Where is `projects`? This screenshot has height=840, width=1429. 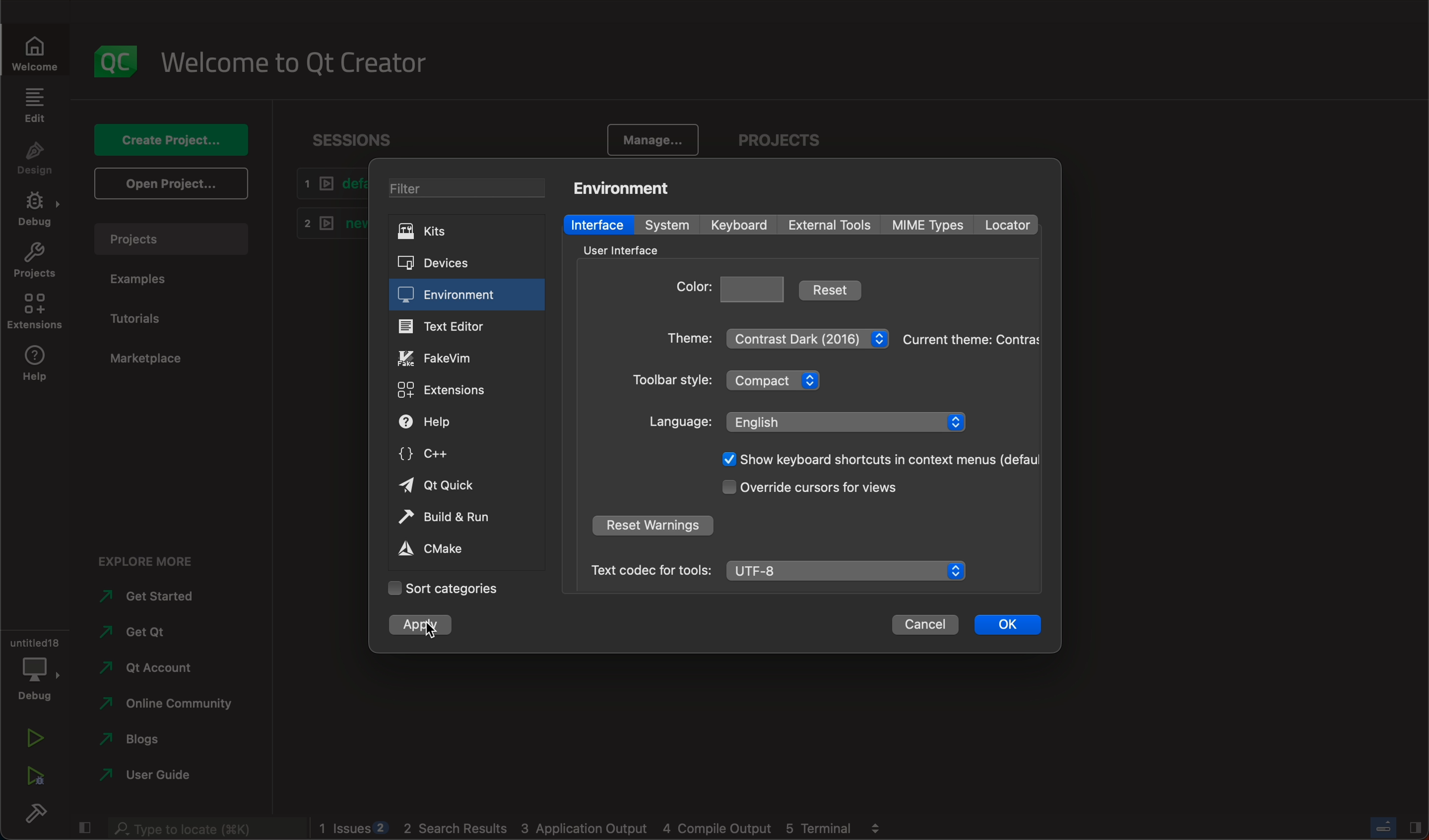 projects is located at coordinates (32, 260).